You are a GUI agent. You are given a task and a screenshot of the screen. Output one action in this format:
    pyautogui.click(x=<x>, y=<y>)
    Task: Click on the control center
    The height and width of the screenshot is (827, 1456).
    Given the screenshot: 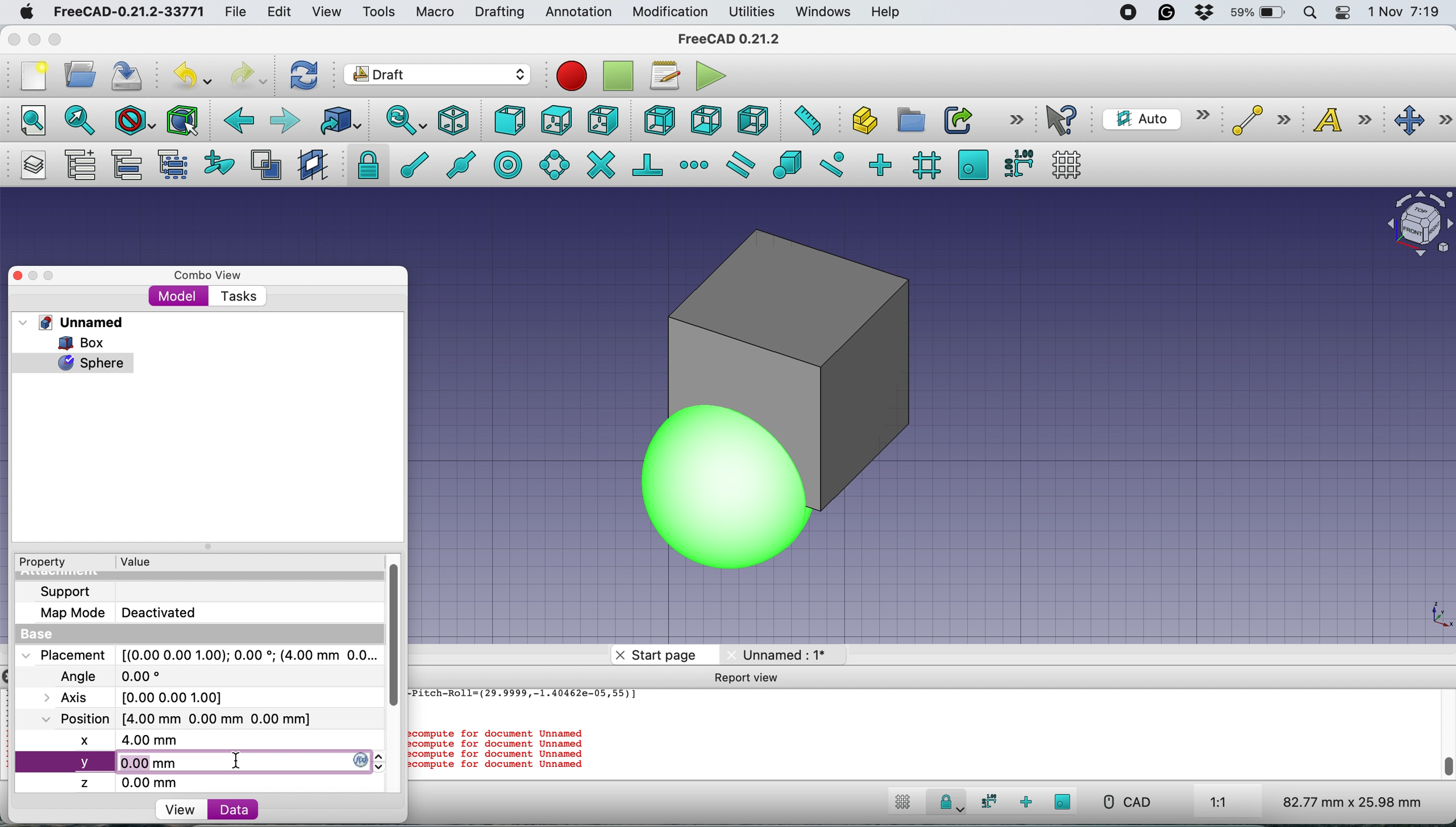 What is the action you would take?
    pyautogui.click(x=1343, y=12)
    